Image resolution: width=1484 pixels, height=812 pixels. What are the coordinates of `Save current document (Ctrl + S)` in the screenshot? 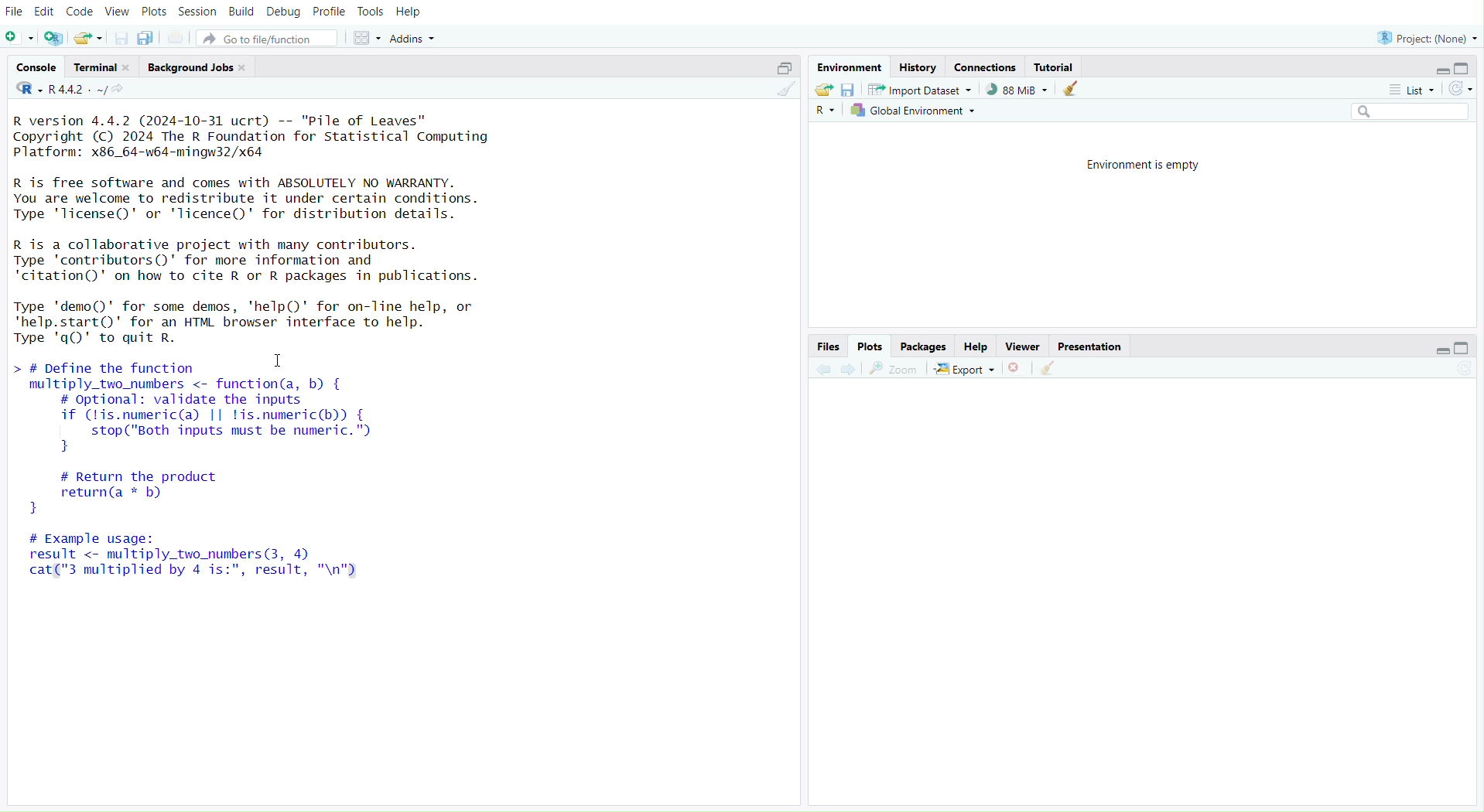 It's located at (117, 37).